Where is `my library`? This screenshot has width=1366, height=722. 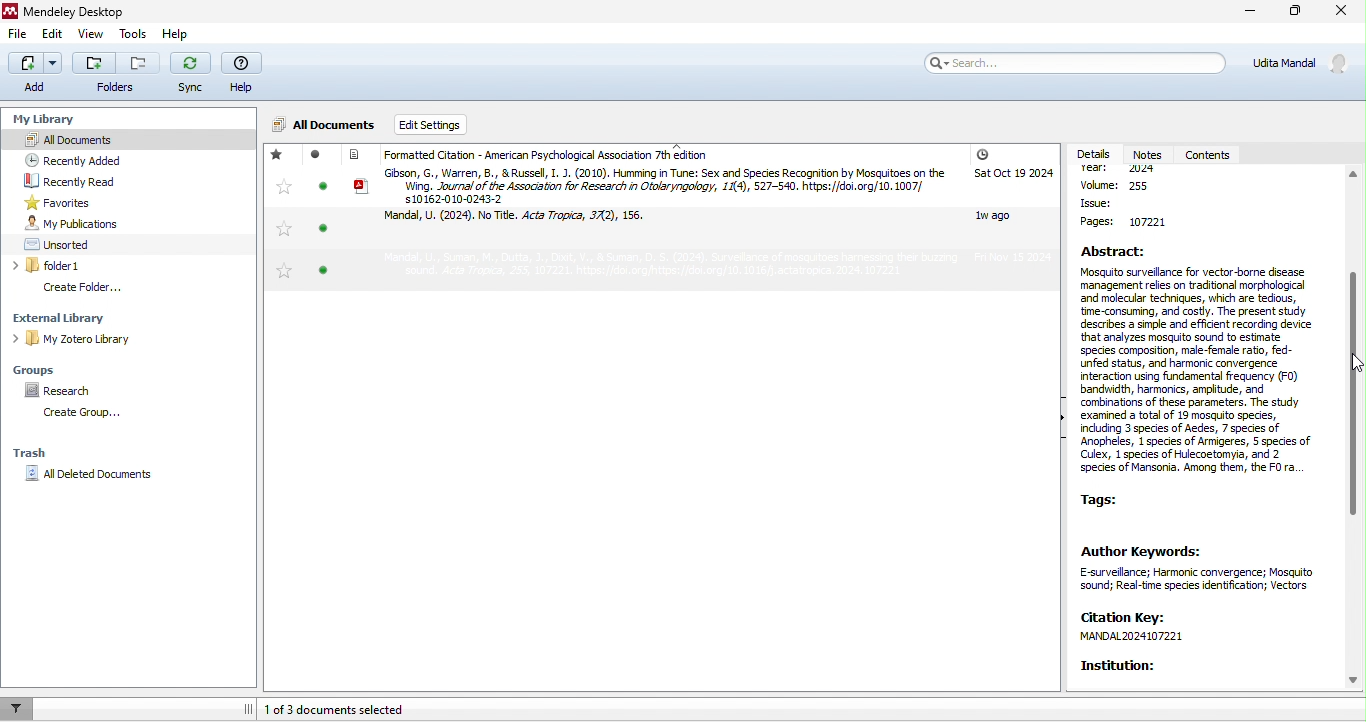 my library is located at coordinates (41, 115).